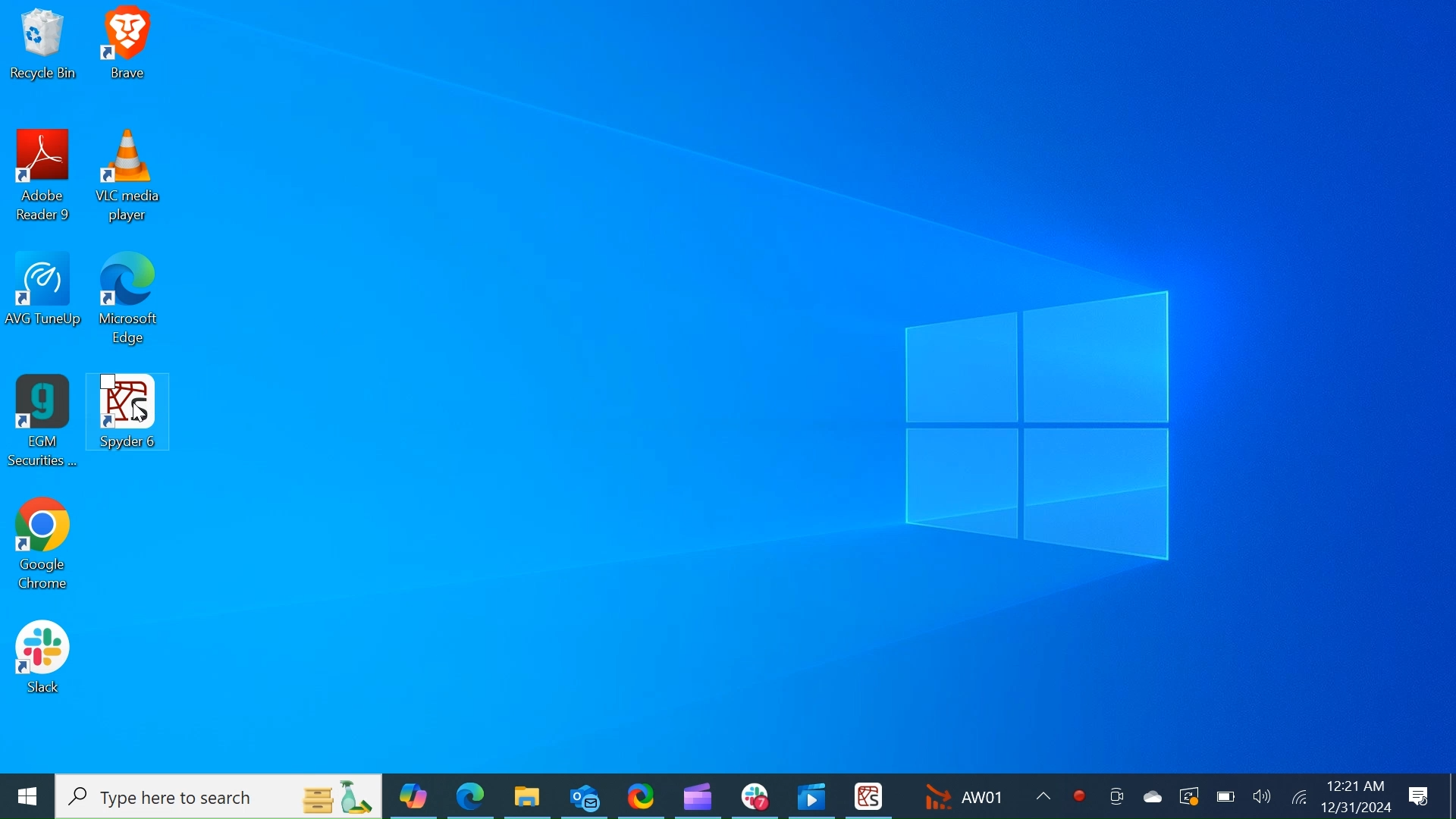 This screenshot has height=819, width=1456. Describe the element at coordinates (643, 795) in the screenshot. I see `ShareX Desktop Icon` at that location.